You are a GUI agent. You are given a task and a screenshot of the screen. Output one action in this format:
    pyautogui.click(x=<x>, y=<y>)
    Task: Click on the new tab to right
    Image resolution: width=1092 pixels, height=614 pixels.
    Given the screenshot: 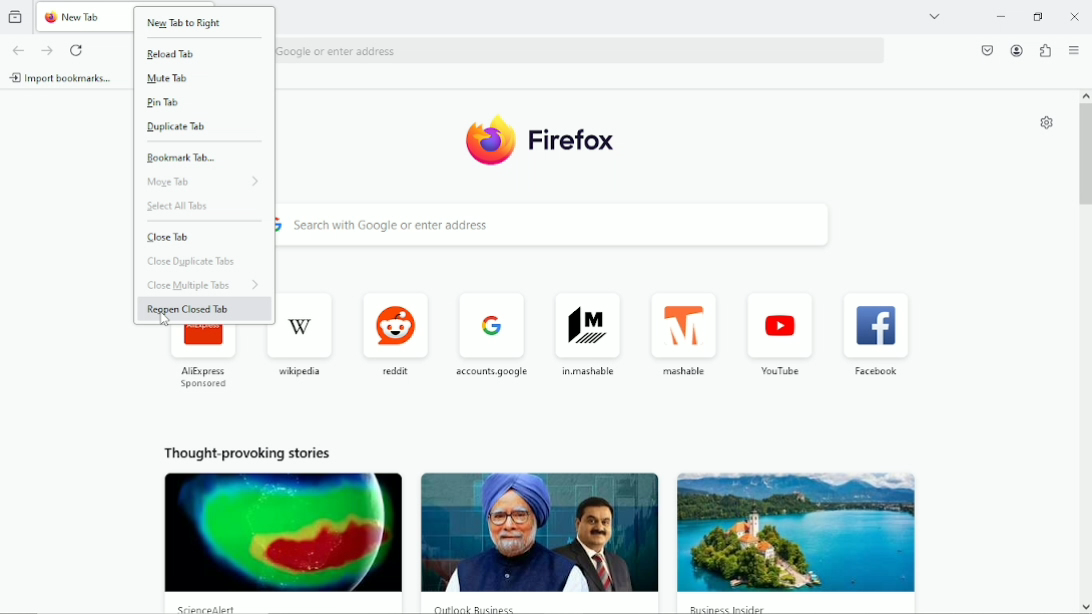 What is the action you would take?
    pyautogui.click(x=186, y=21)
    